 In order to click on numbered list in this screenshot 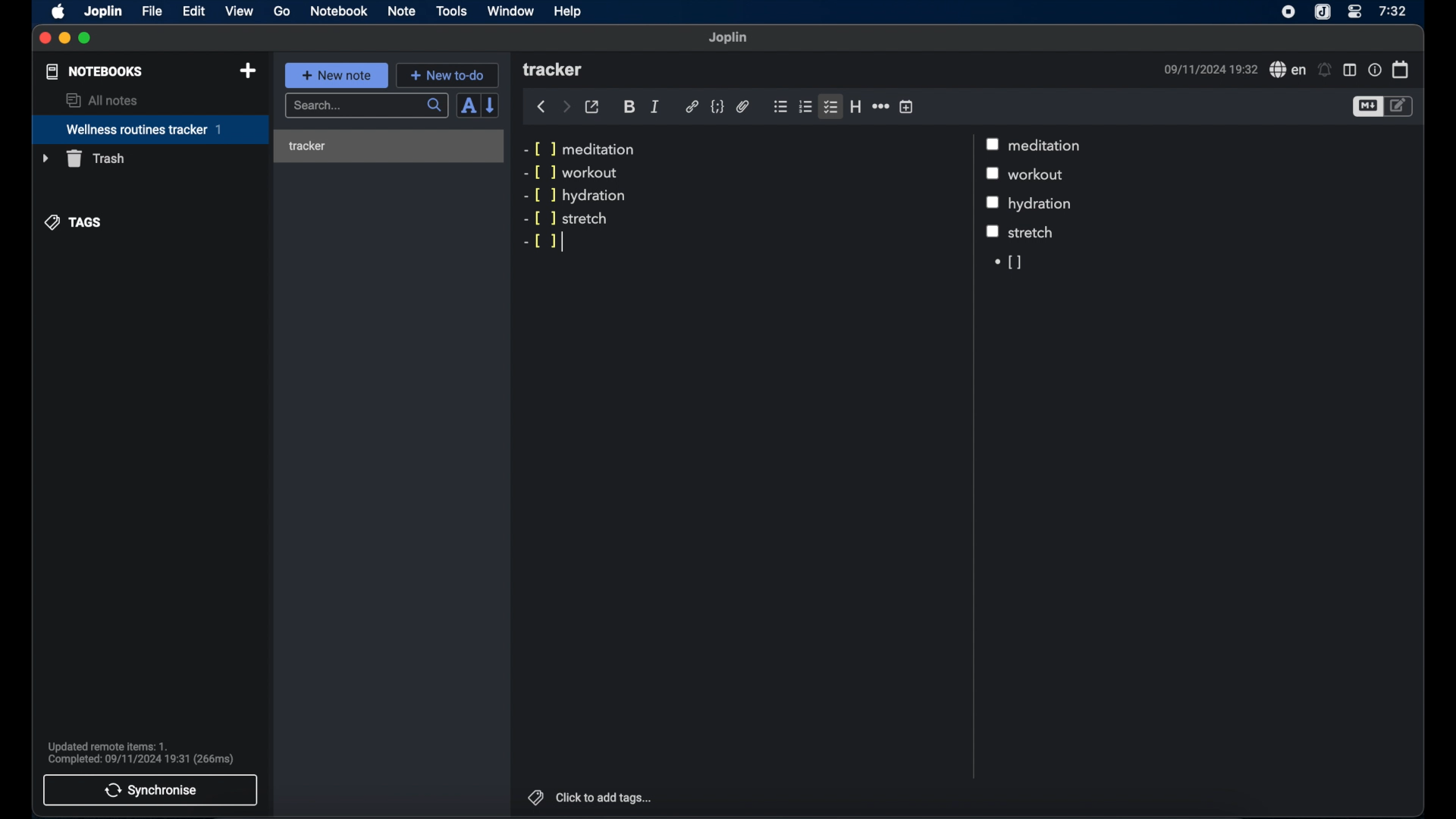, I will do `click(806, 107)`.